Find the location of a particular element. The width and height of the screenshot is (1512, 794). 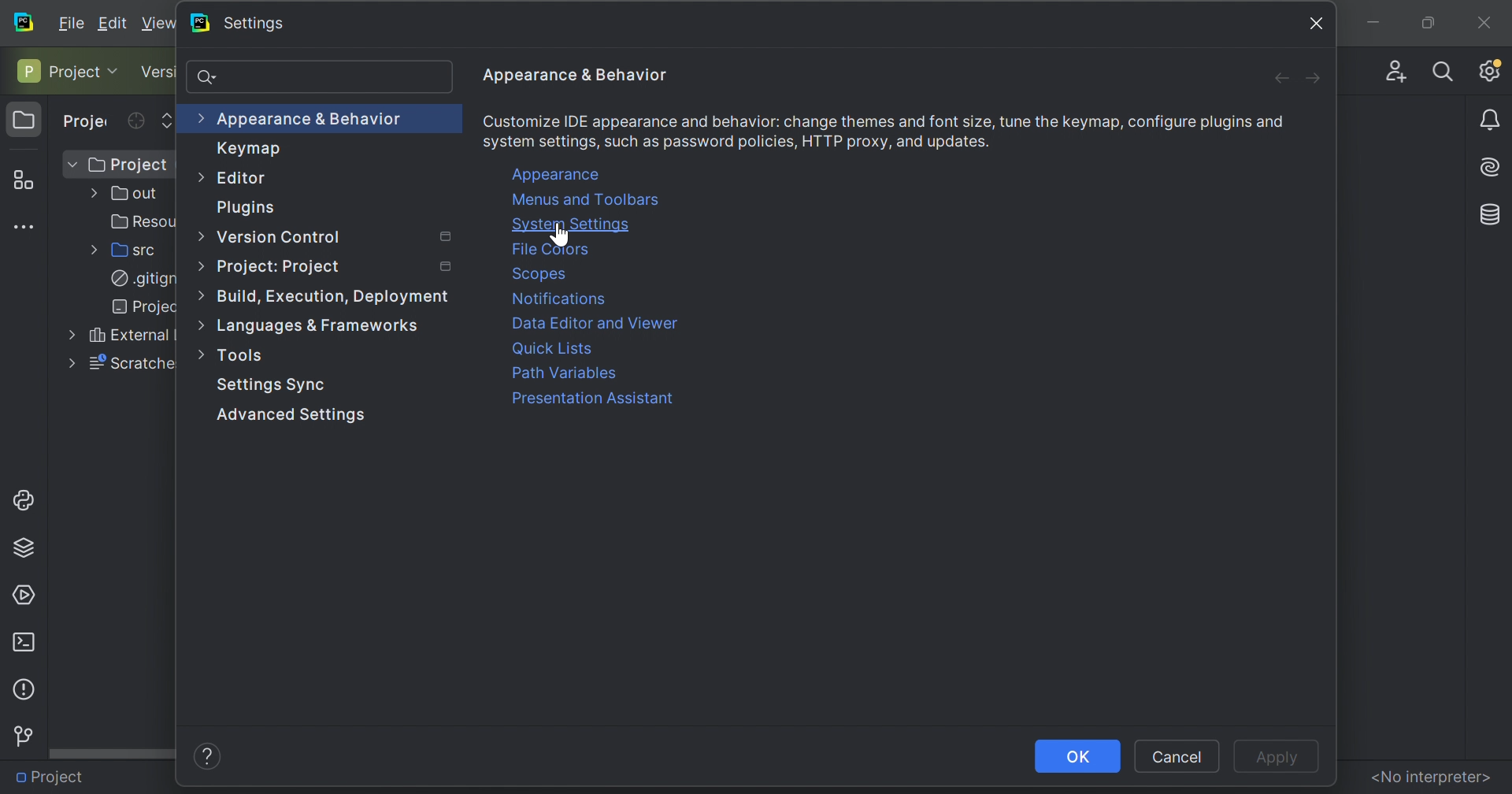

Search Everywhere is located at coordinates (1443, 70).